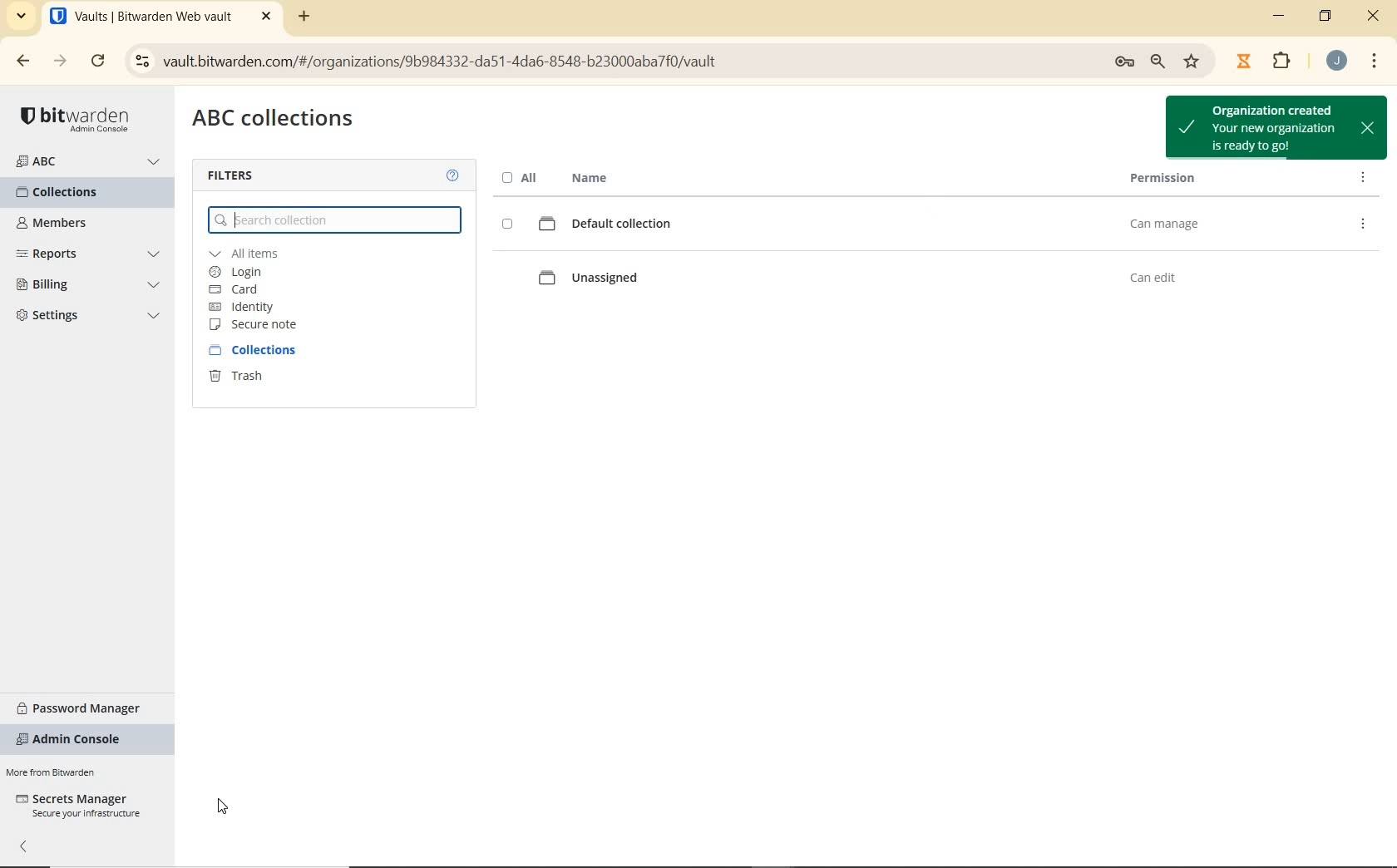 The height and width of the screenshot is (868, 1397). What do you see at coordinates (22, 847) in the screenshot?
I see `collapse` at bounding box center [22, 847].